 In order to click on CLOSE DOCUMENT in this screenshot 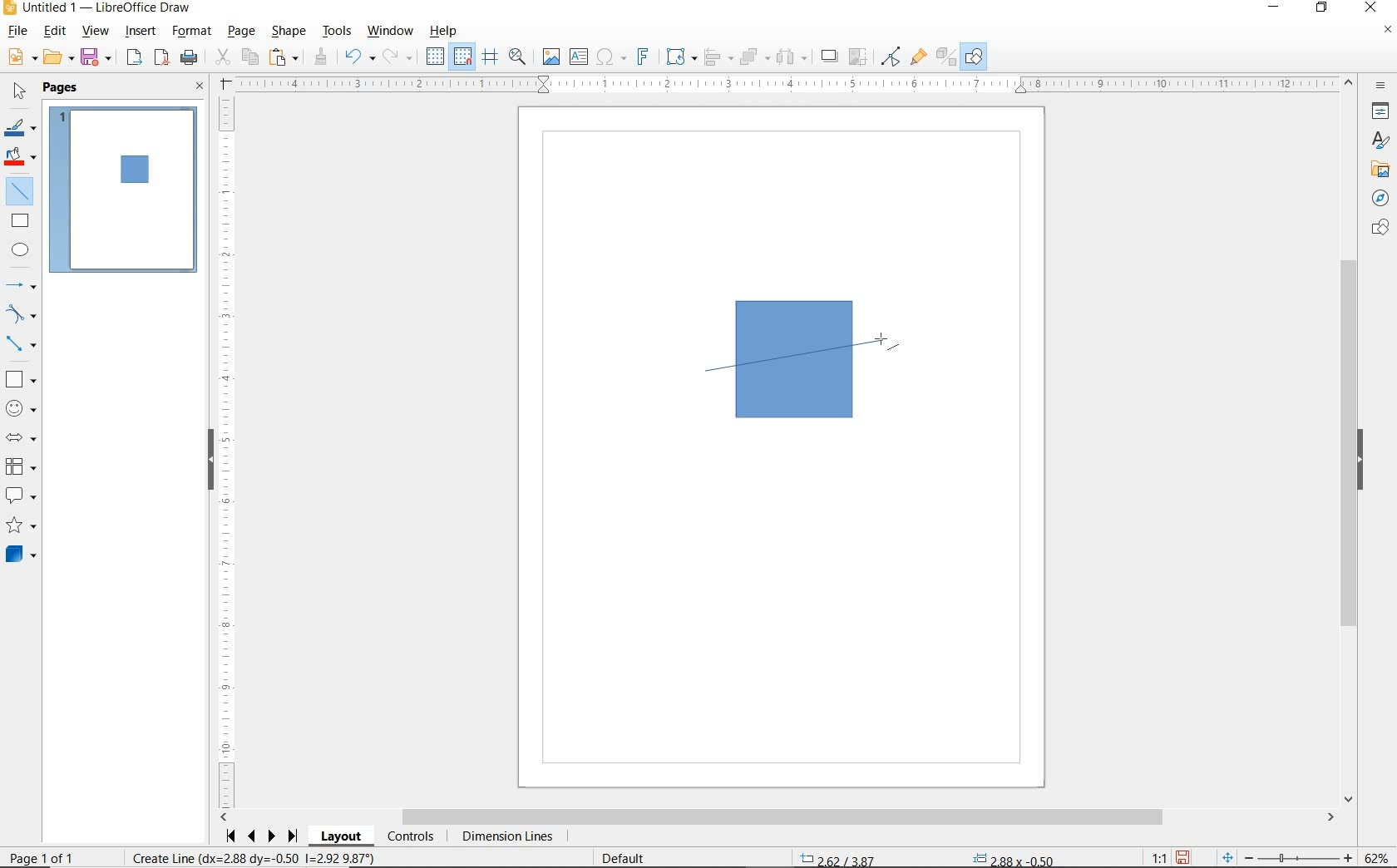, I will do `click(1387, 31)`.